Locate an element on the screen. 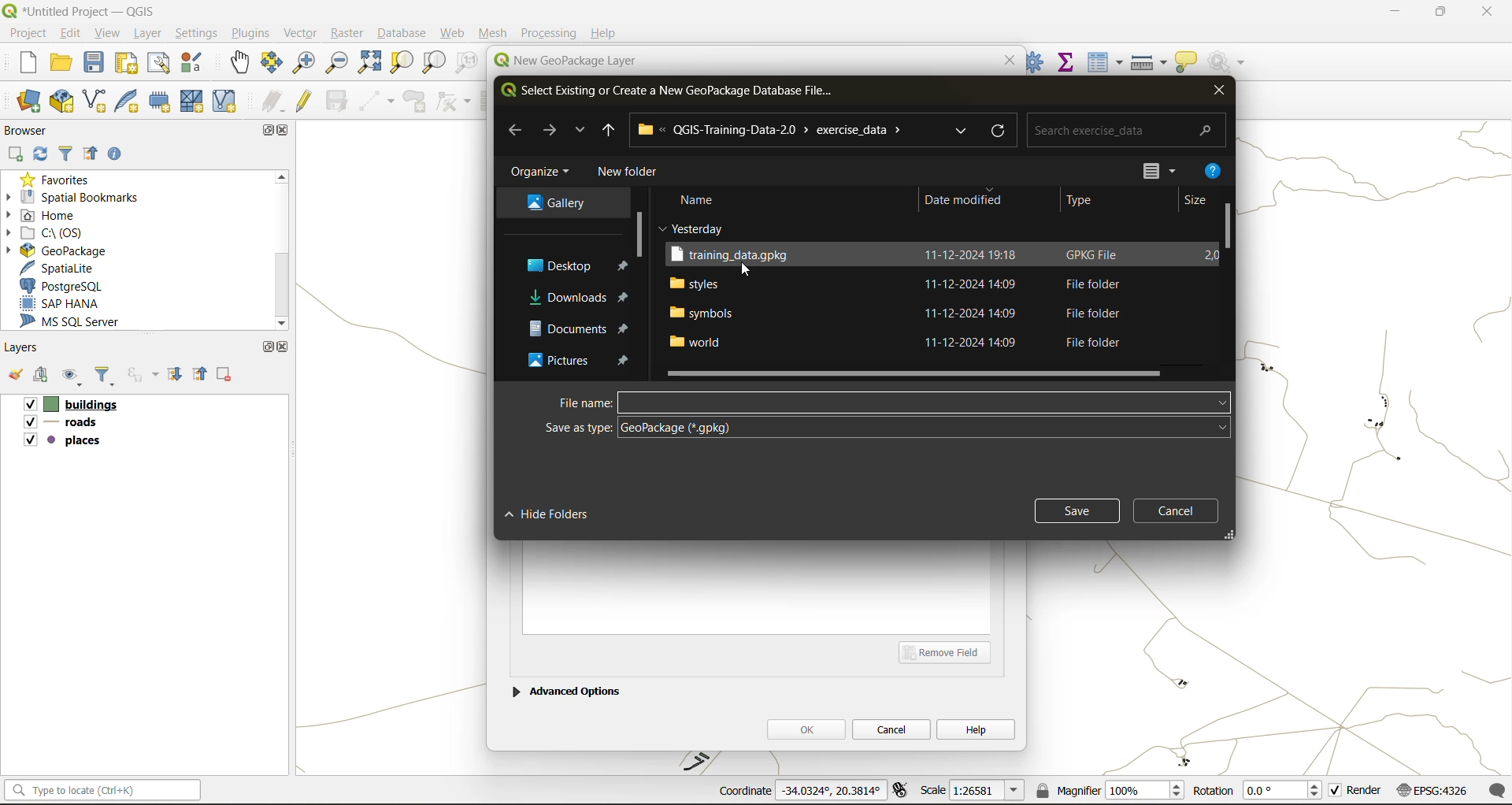 Image resolution: width=1512 pixels, height=805 pixels. enable properties is located at coordinates (119, 153).